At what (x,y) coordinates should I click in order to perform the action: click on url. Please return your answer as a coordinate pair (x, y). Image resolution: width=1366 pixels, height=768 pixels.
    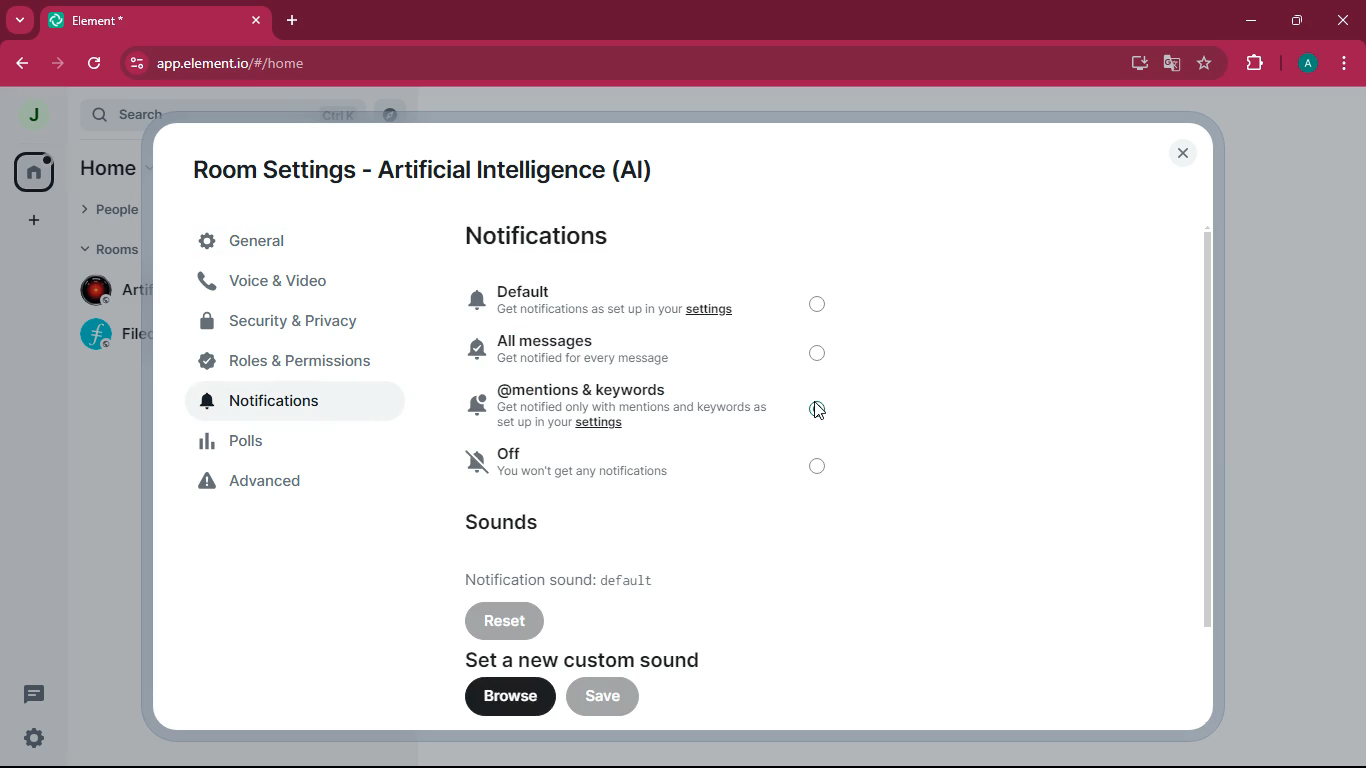
    Looking at the image, I should click on (316, 64).